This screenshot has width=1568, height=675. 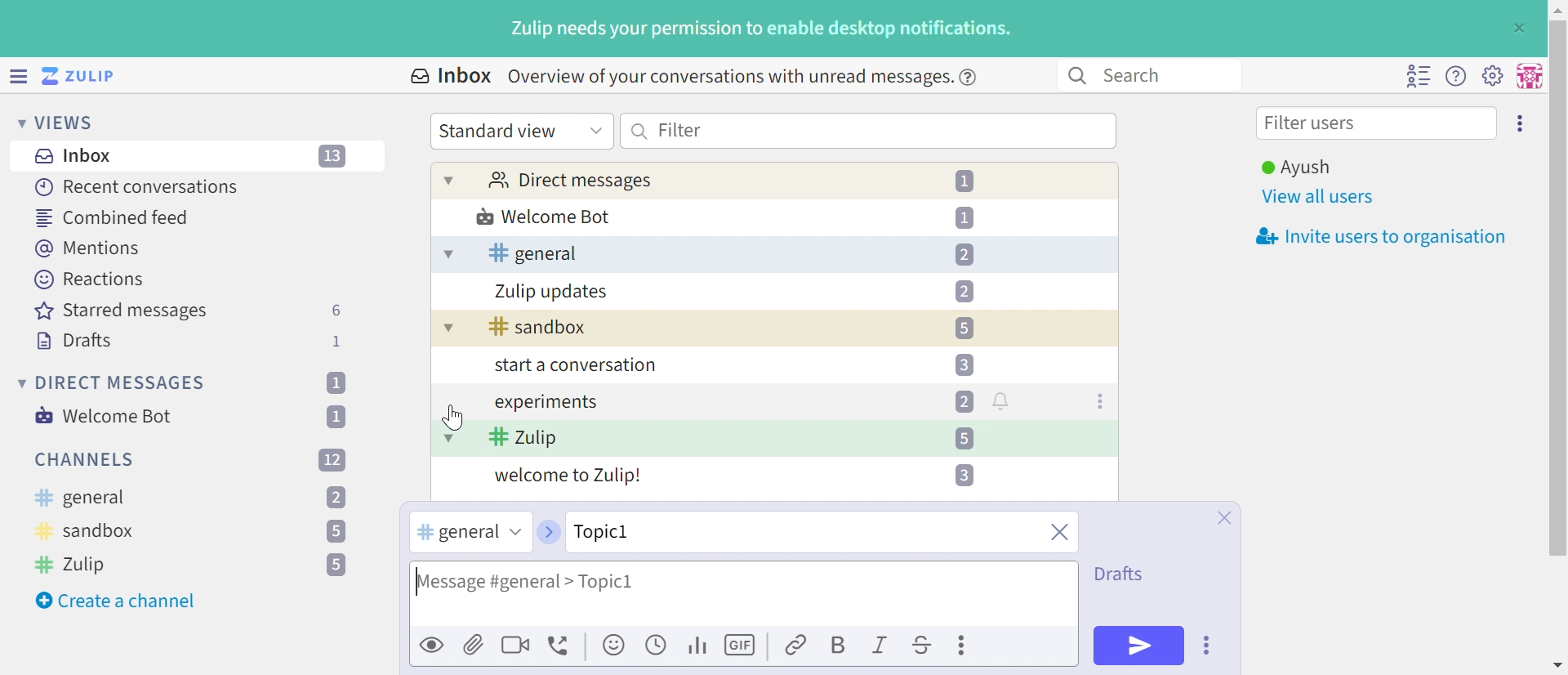 I want to click on Help menu, so click(x=1456, y=77).